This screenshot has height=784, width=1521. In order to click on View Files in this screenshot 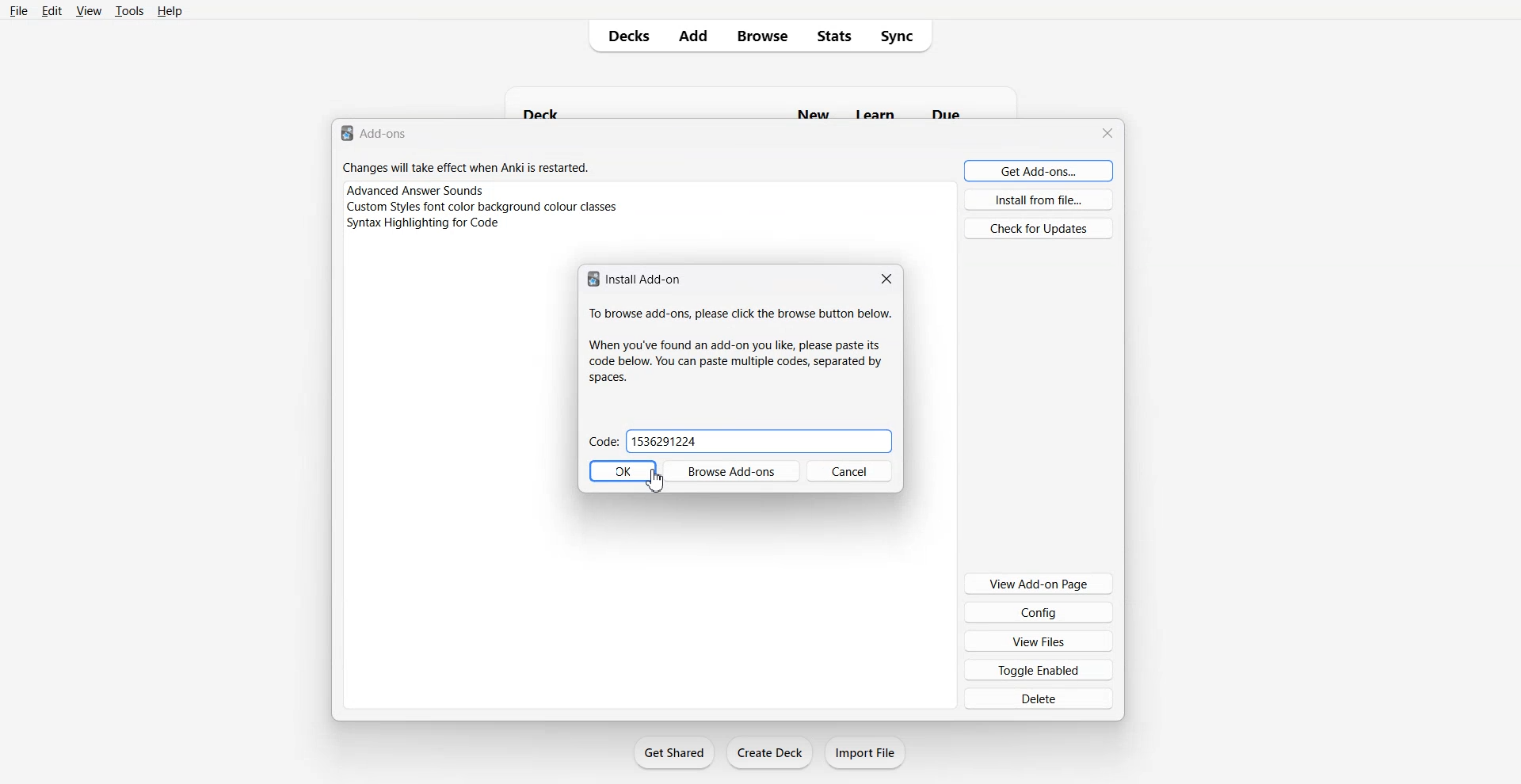, I will do `click(1039, 641)`.